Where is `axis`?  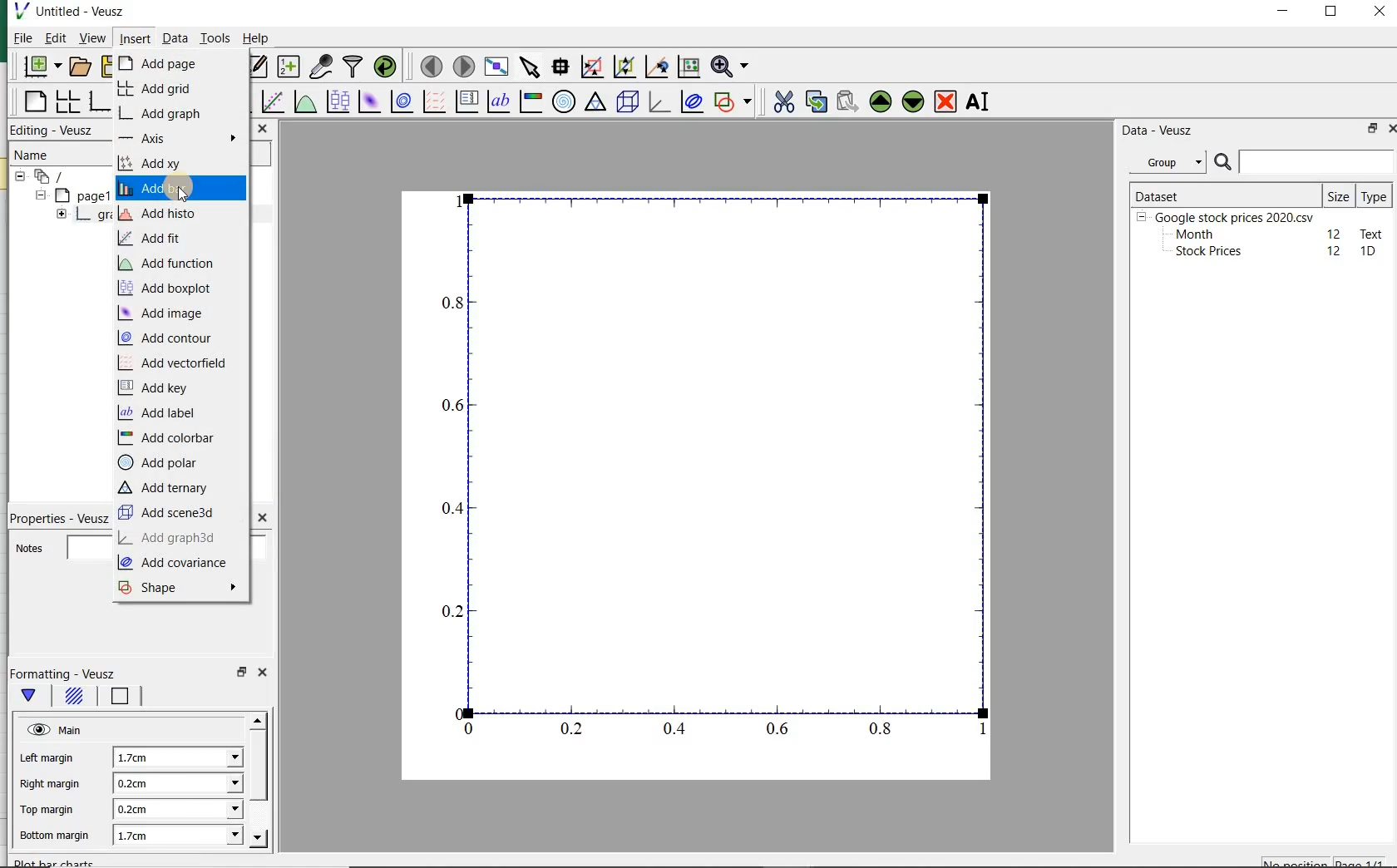 axis is located at coordinates (179, 138).